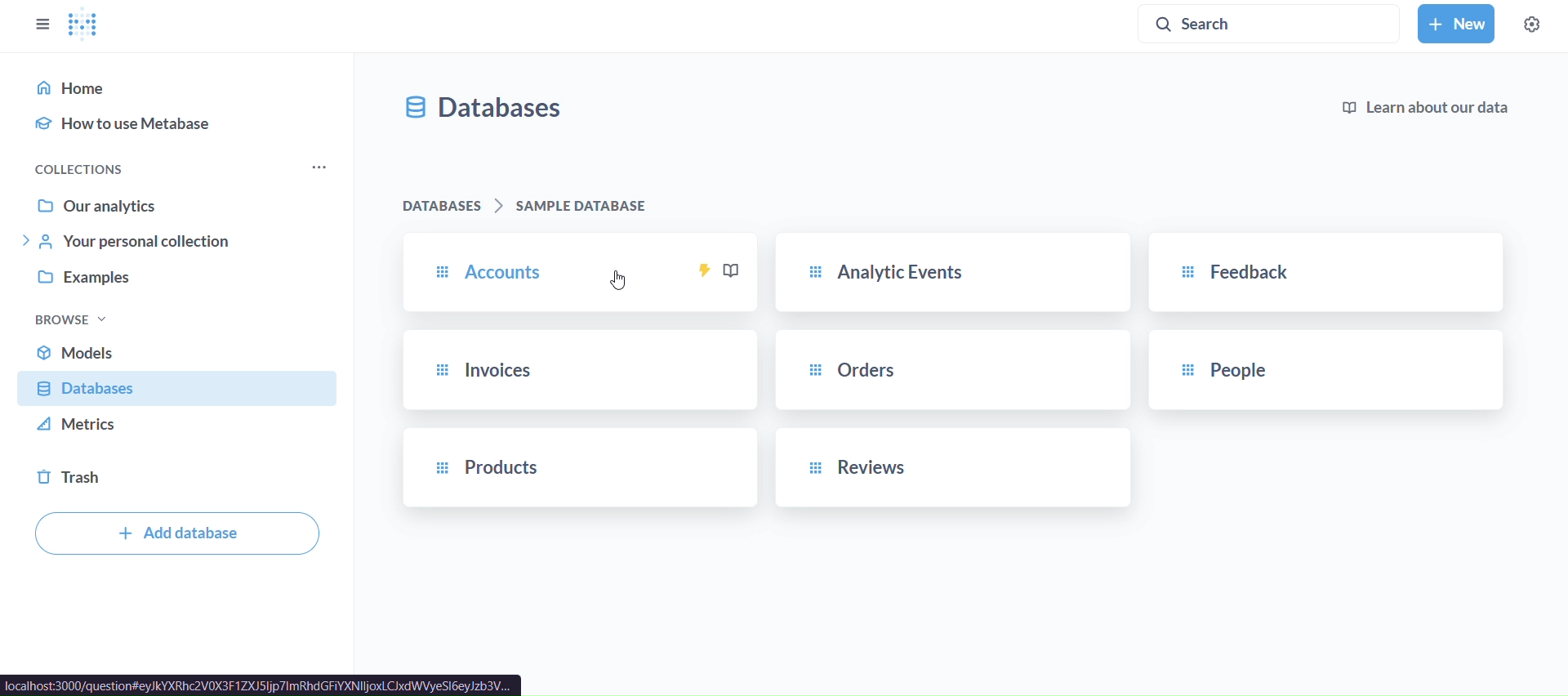 This screenshot has width=1568, height=696. What do you see at coordinates (177, 430) in the screenshot?
I see `metrics` at bounding box center [177, 430].